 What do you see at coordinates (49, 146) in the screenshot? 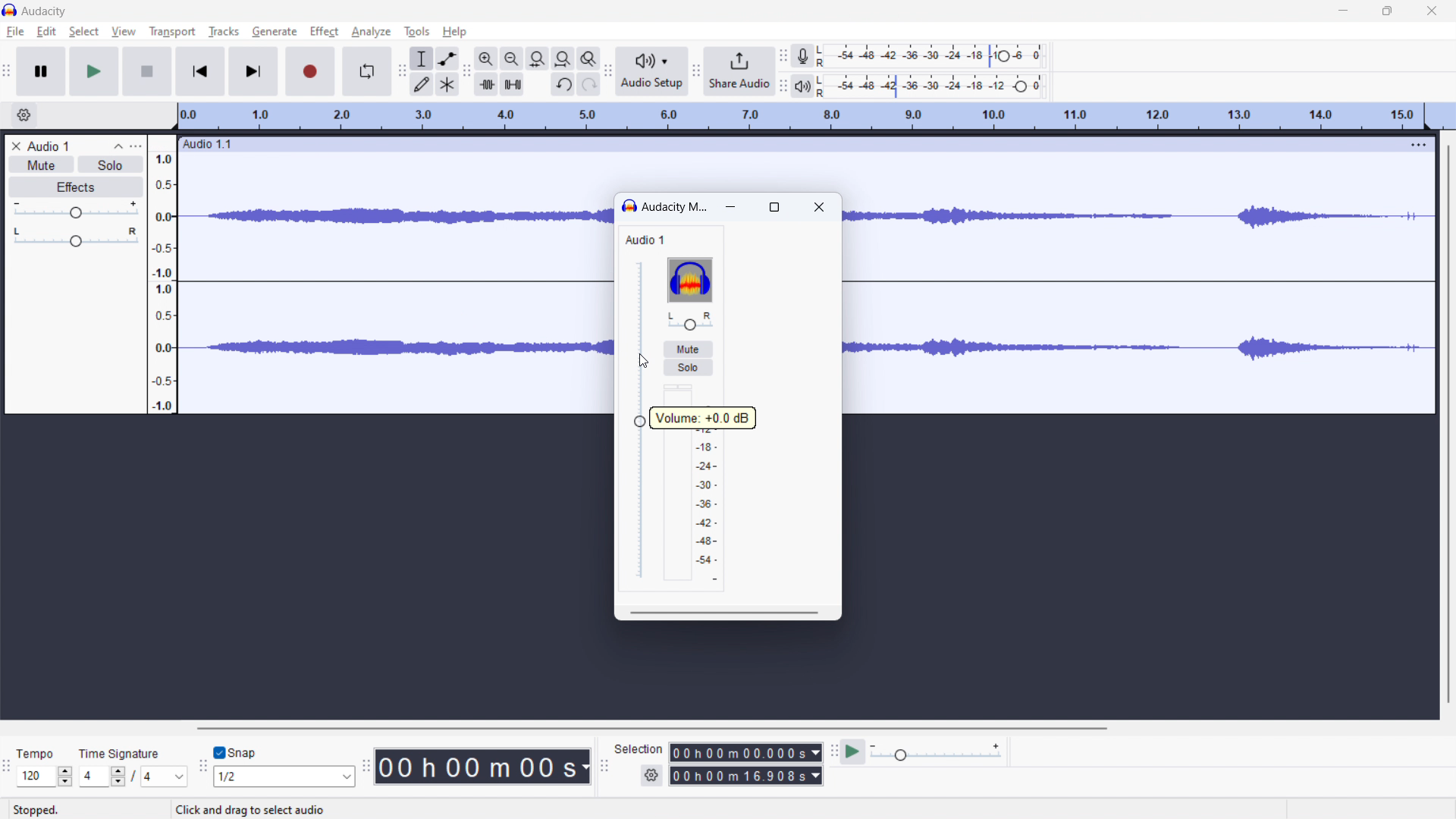
I see `project title` at bounding box center [49, 146].